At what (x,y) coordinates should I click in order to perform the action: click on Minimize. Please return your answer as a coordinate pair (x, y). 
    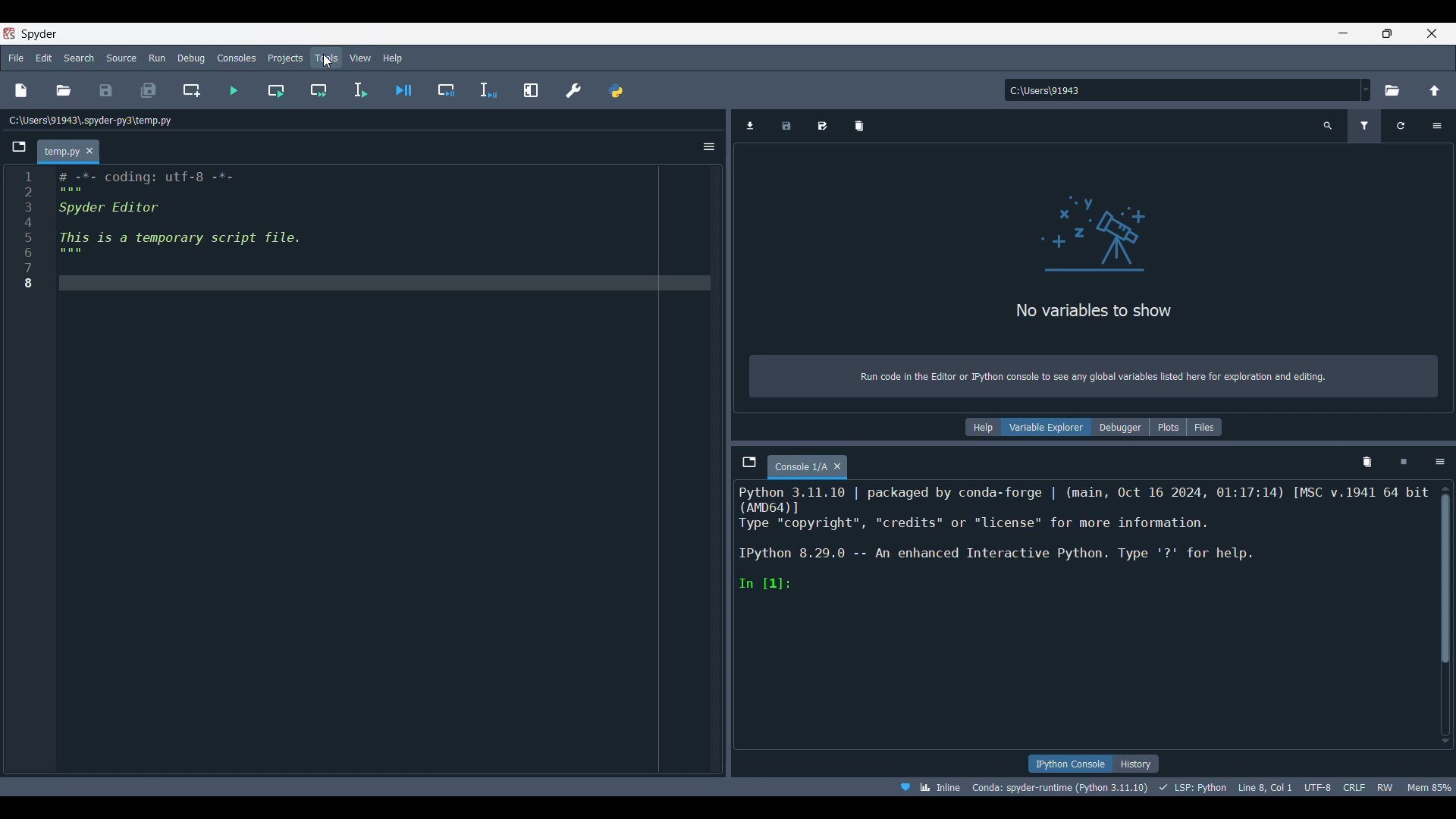
    Looking at the image, I should click on (1343, 33).